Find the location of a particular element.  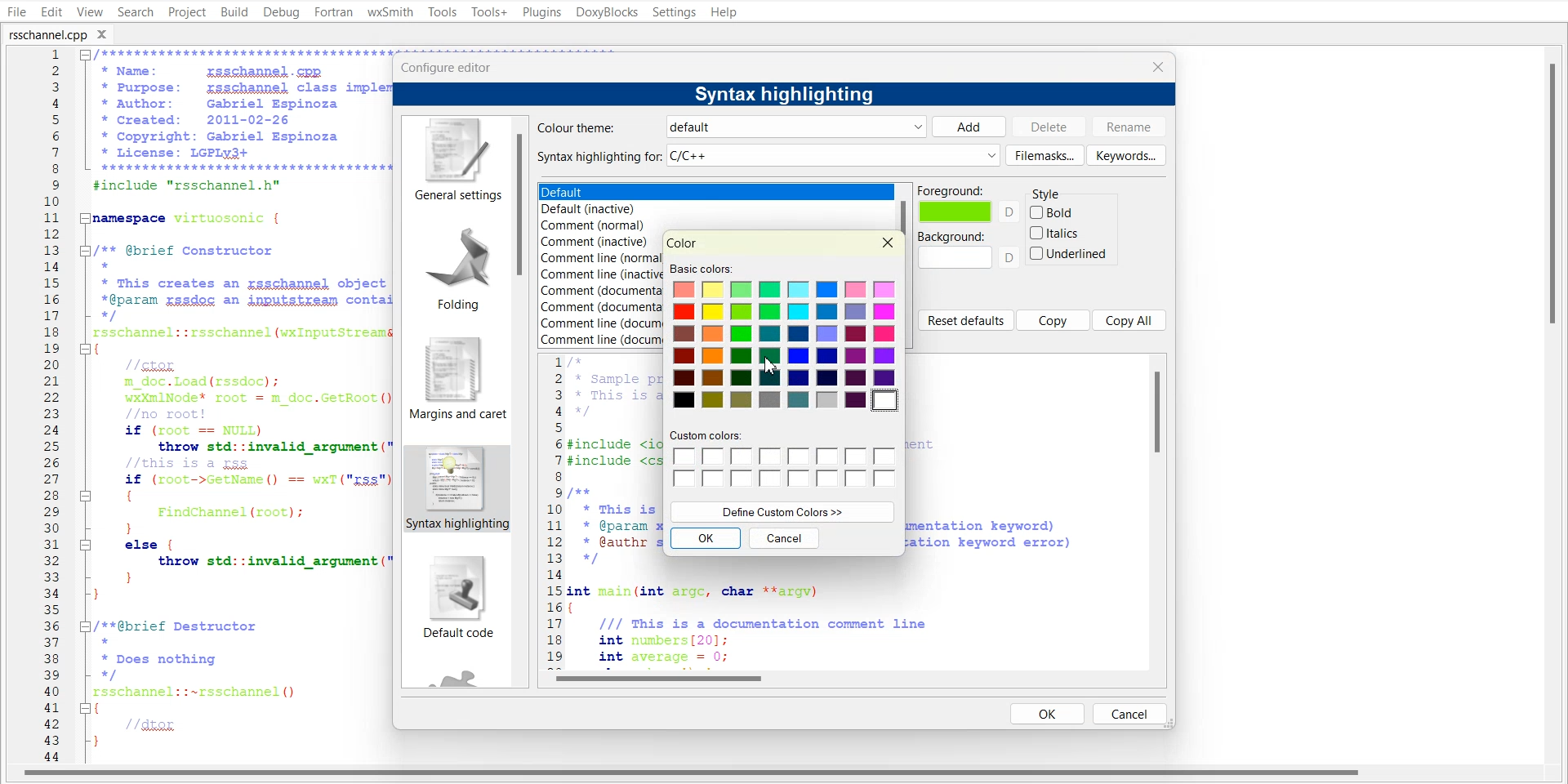

Vertical scroll bar is located at coordinates (1158, 510).